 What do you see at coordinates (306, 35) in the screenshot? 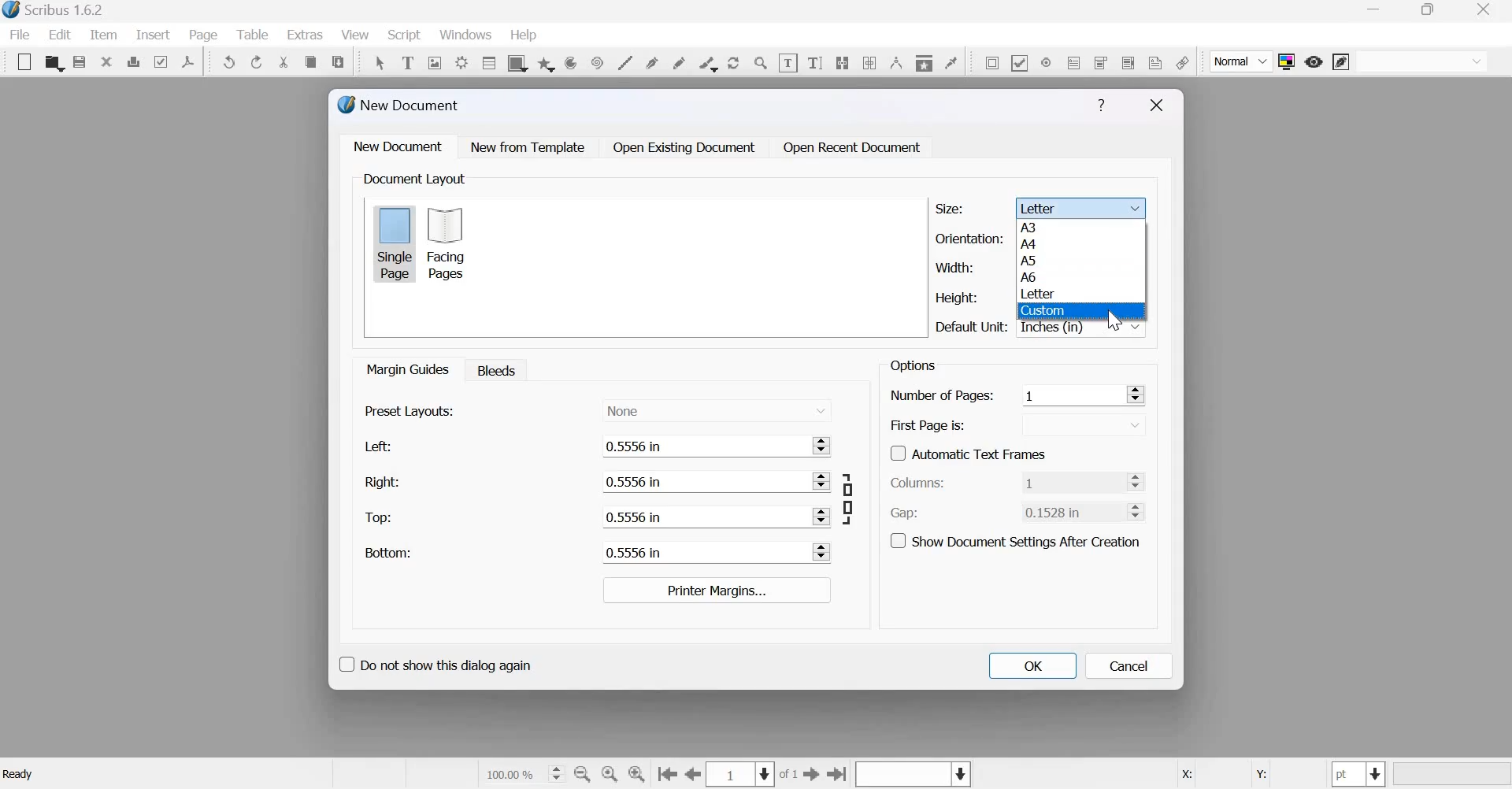
I see `extras` at bounding box center [306, 35].